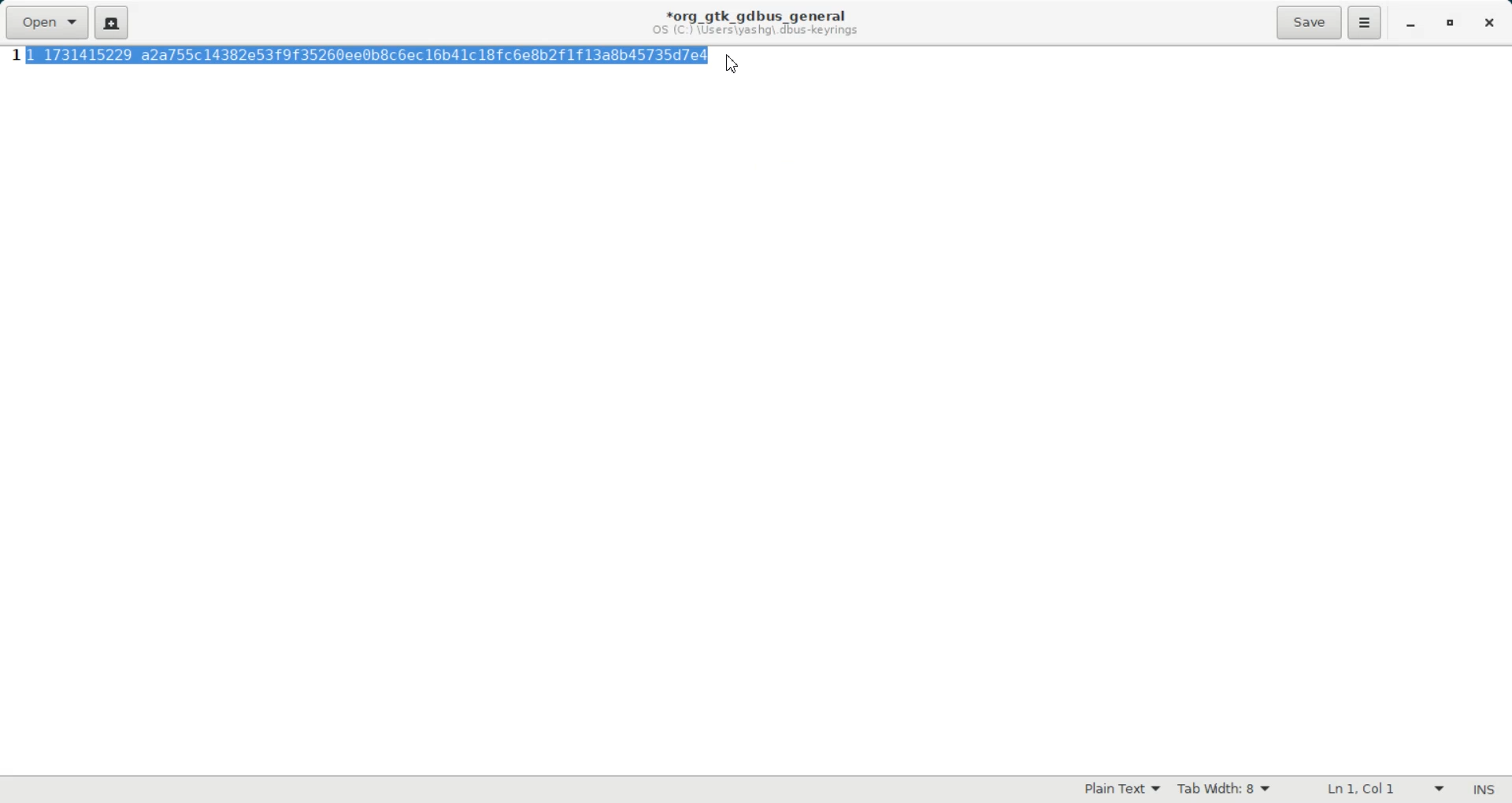 This screenshot has height=803, width=1512. Describe the element at coordinates (1225, 790) in the screenshot. I see `Tab width` at that location.